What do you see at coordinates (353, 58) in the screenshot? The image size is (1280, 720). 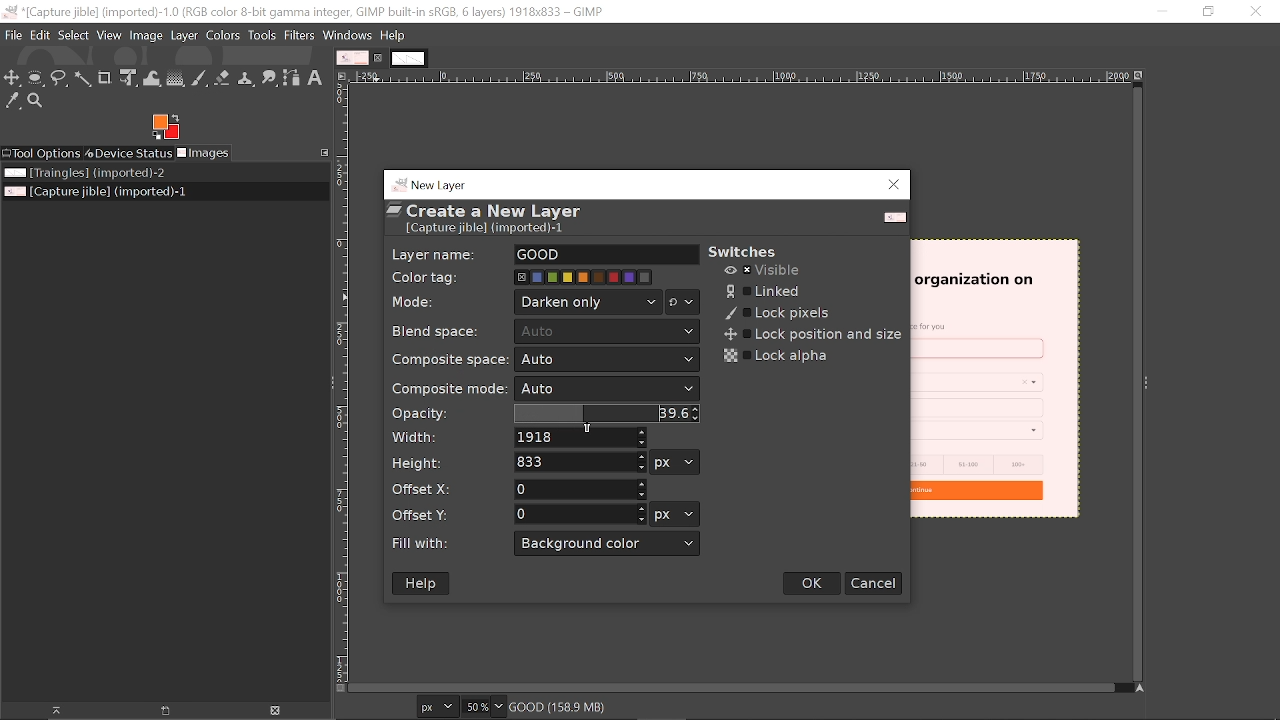 I see `Current tab` at bounding box center [353, 58].